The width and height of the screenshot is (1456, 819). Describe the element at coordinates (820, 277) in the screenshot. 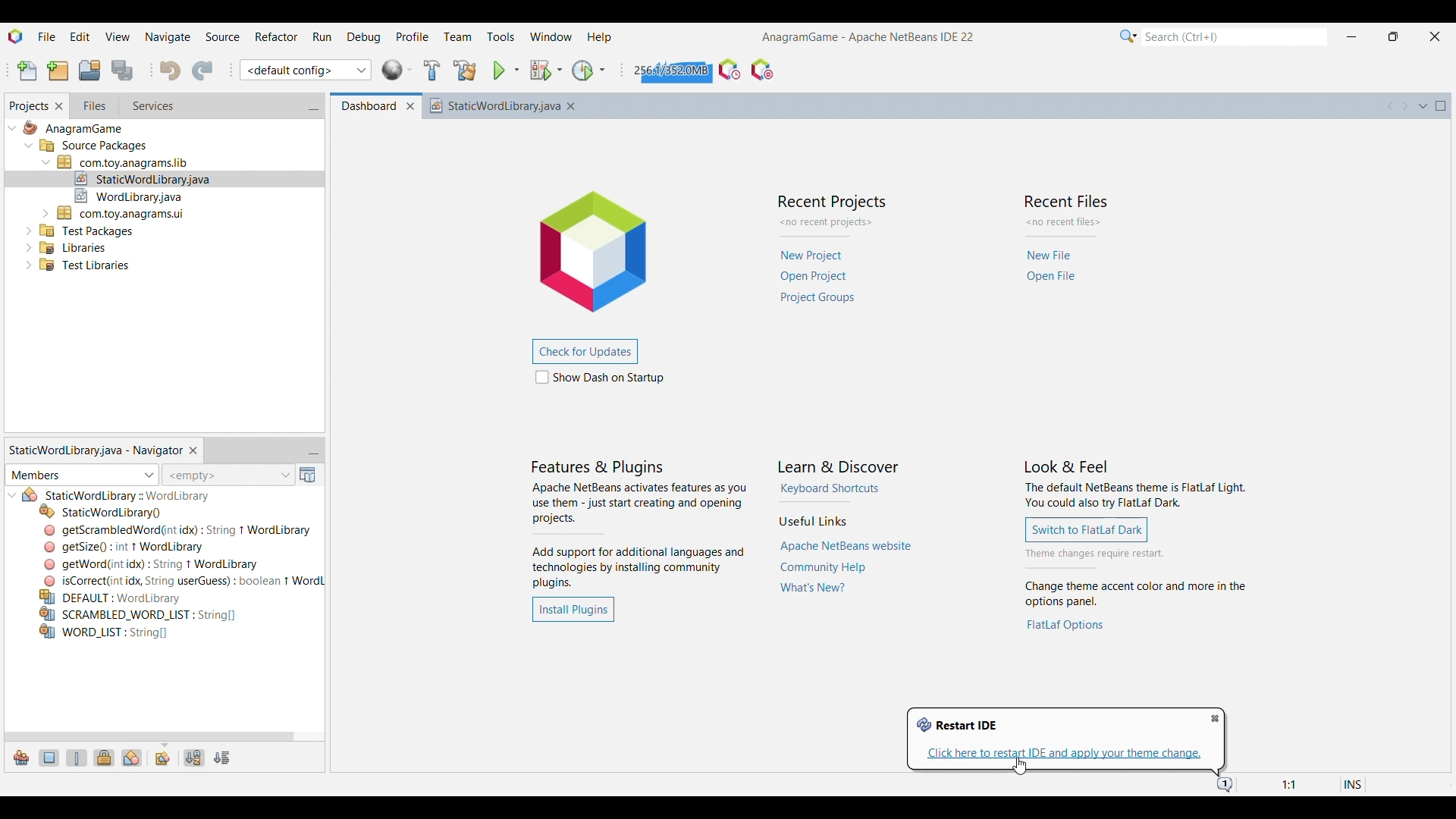

I see `Recent projects` at that location.